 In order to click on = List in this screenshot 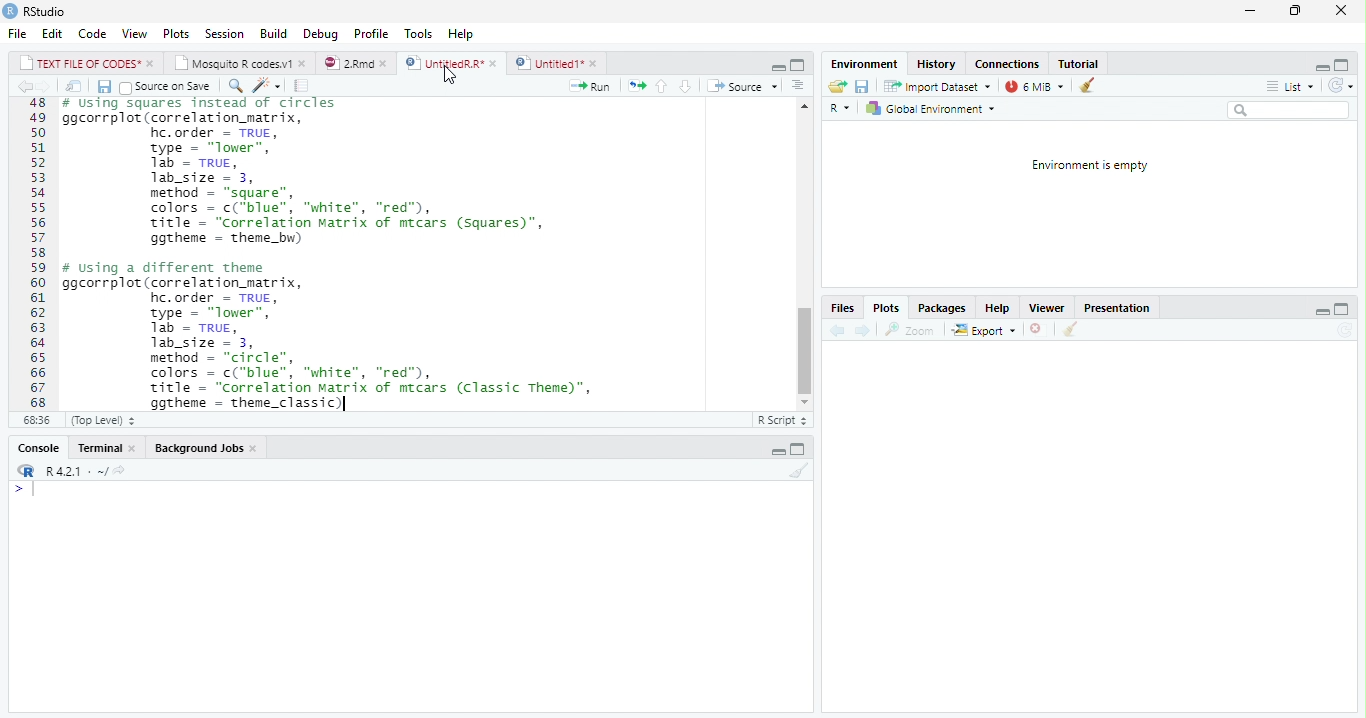, I will do `click(1292, 87)`.